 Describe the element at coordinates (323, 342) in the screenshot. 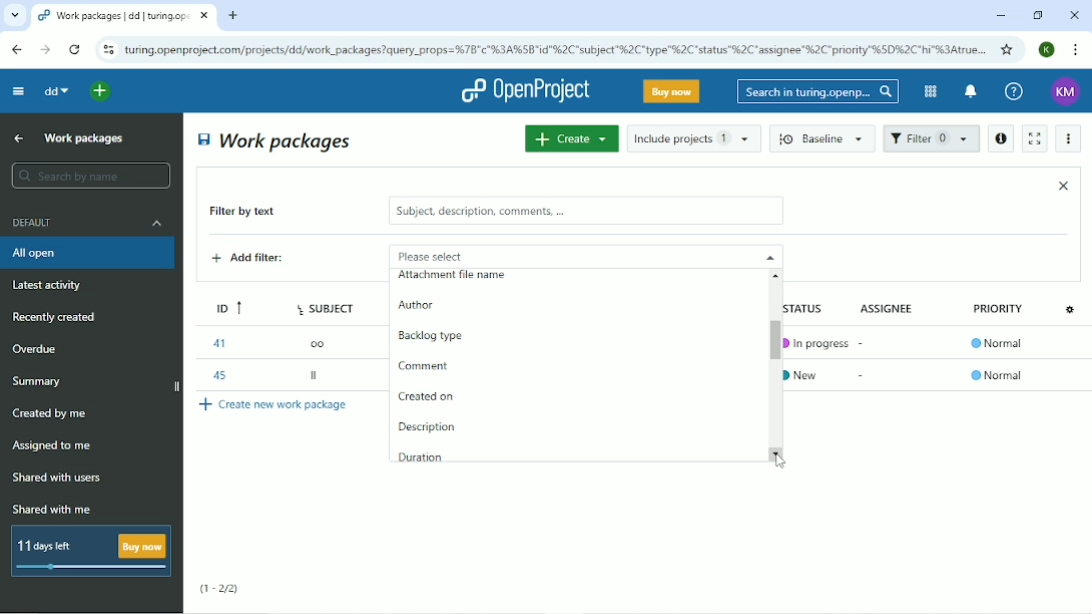

I see `oo` at that location.